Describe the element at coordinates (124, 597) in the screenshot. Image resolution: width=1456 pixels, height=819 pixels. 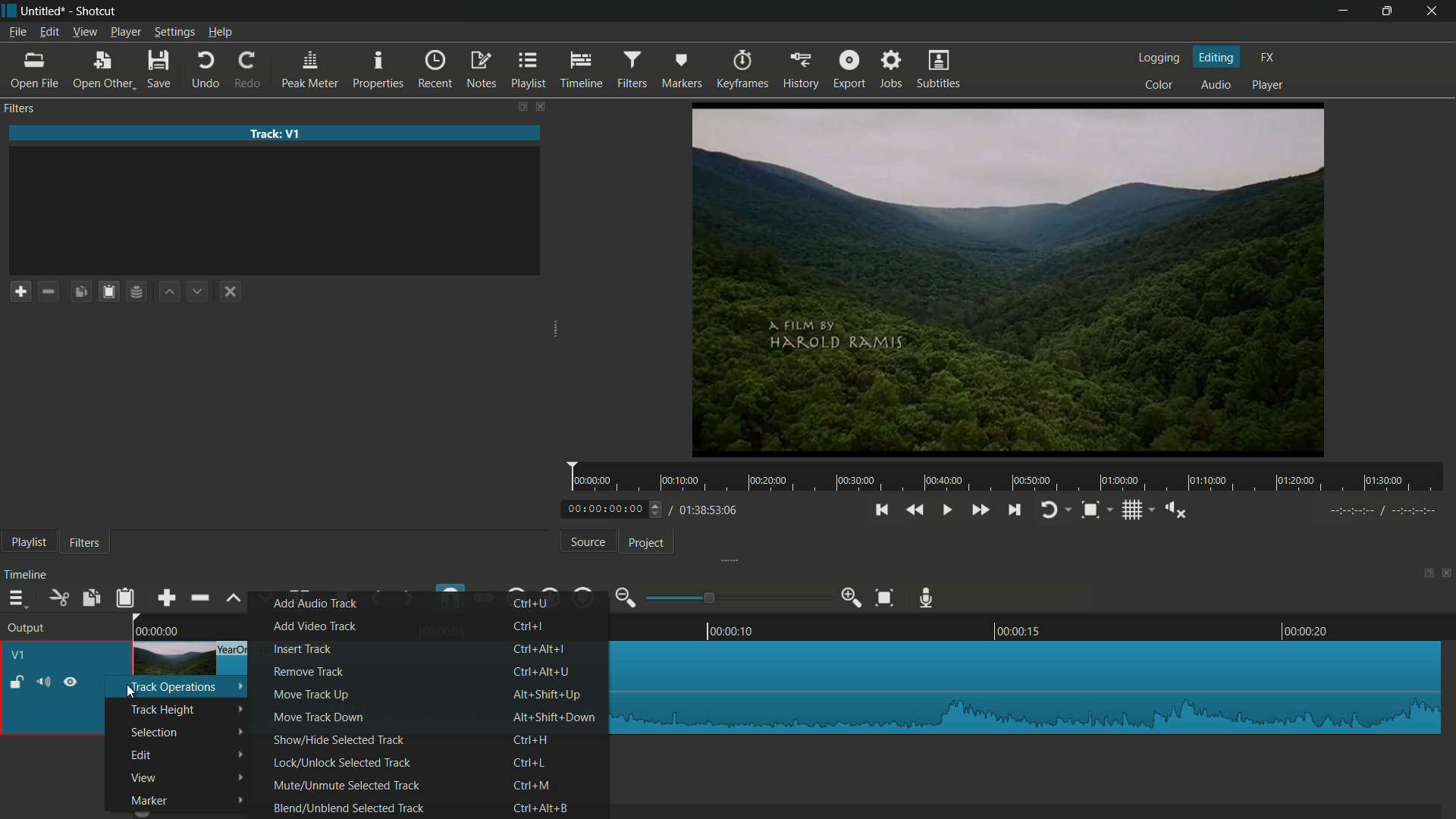
I see `paste` at that location.